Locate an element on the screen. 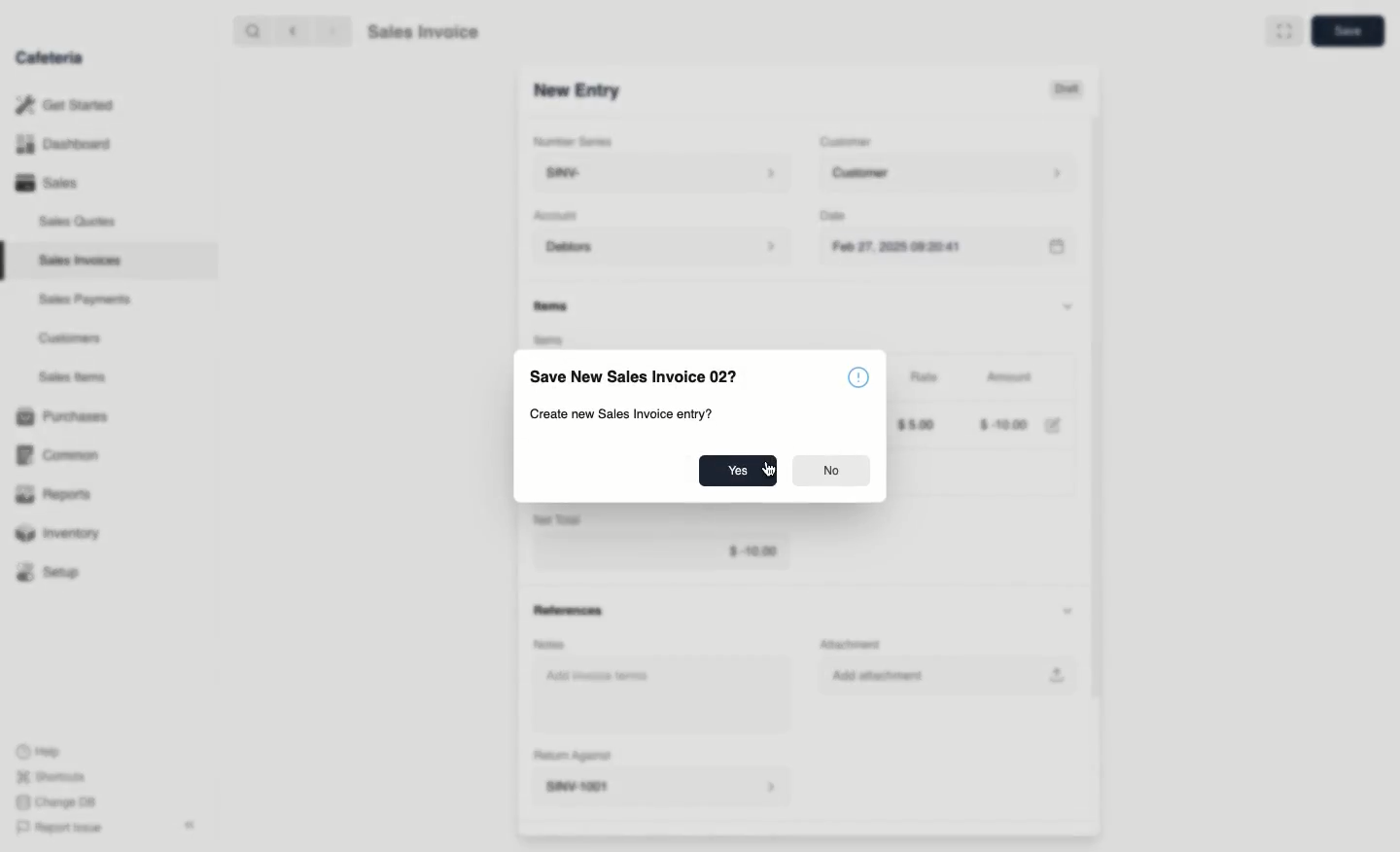 The image size is (1400, 852). Yes is located at coordinates (733, 470).